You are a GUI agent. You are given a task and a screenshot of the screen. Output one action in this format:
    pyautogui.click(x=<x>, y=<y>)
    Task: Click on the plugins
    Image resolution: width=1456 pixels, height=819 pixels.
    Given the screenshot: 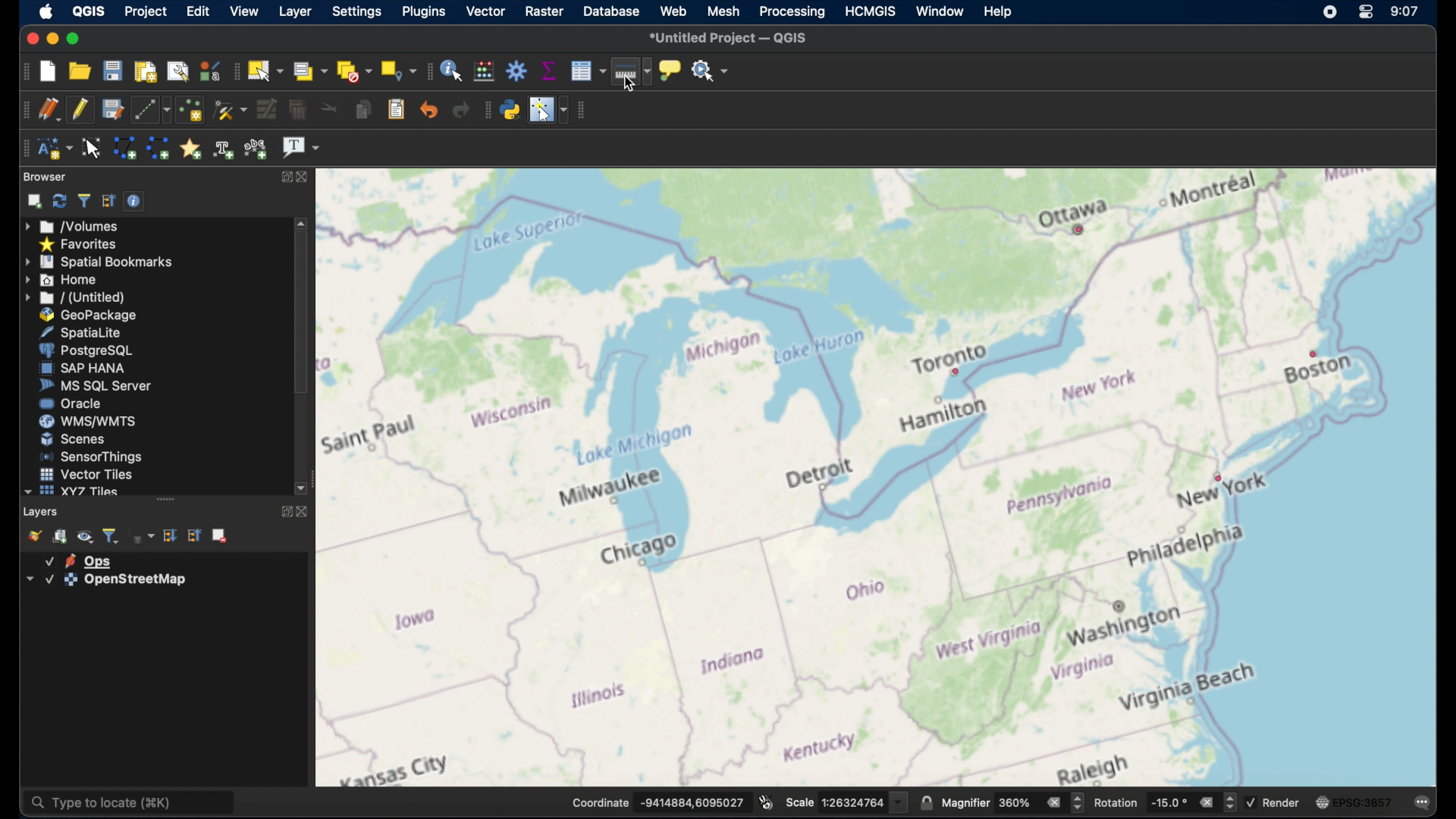 What is the action you would take?
    pyautogui.click(x=422, y=12)
    